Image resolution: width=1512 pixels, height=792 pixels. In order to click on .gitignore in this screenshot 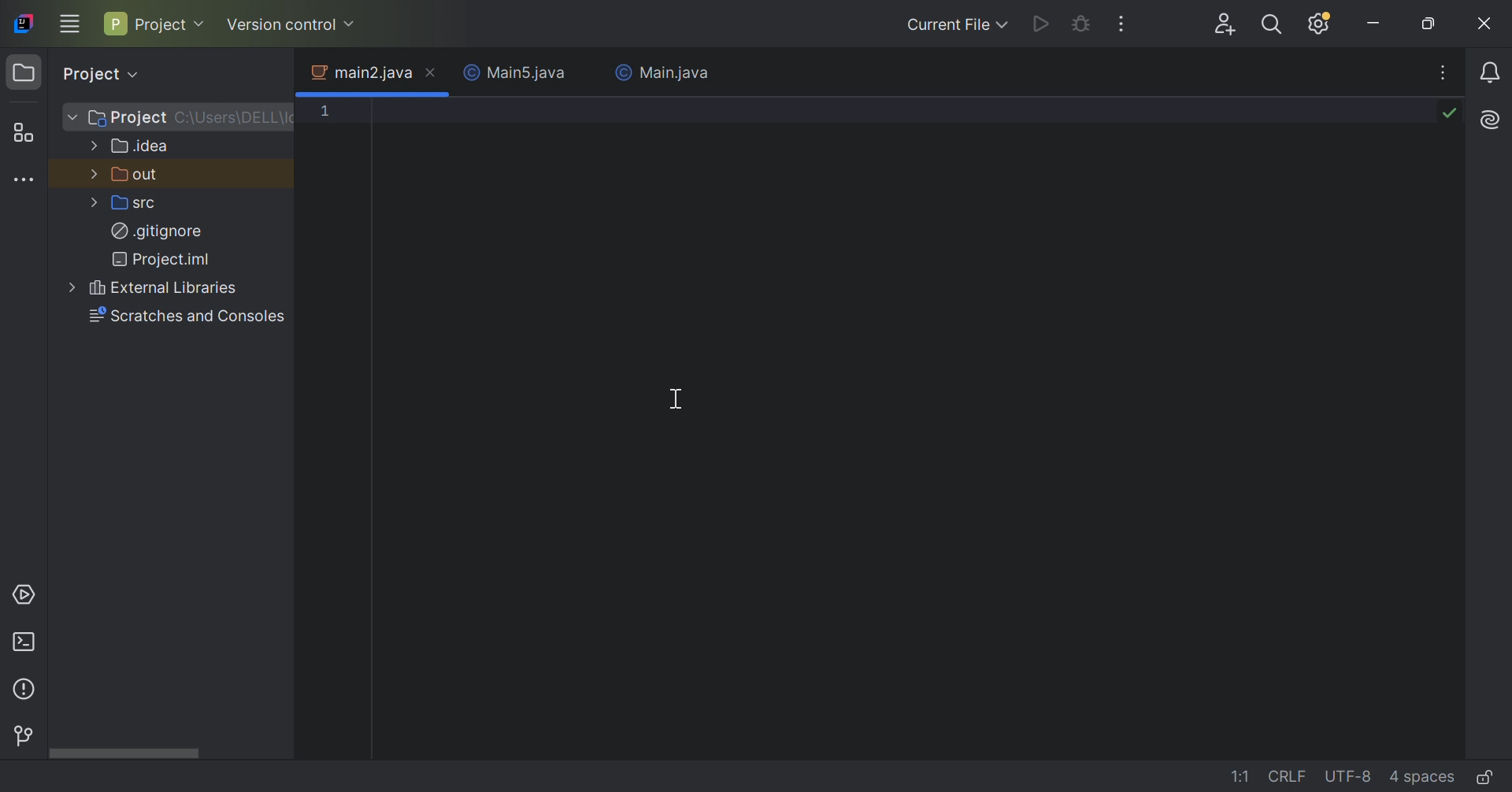, I will do `click(157, 229)`.